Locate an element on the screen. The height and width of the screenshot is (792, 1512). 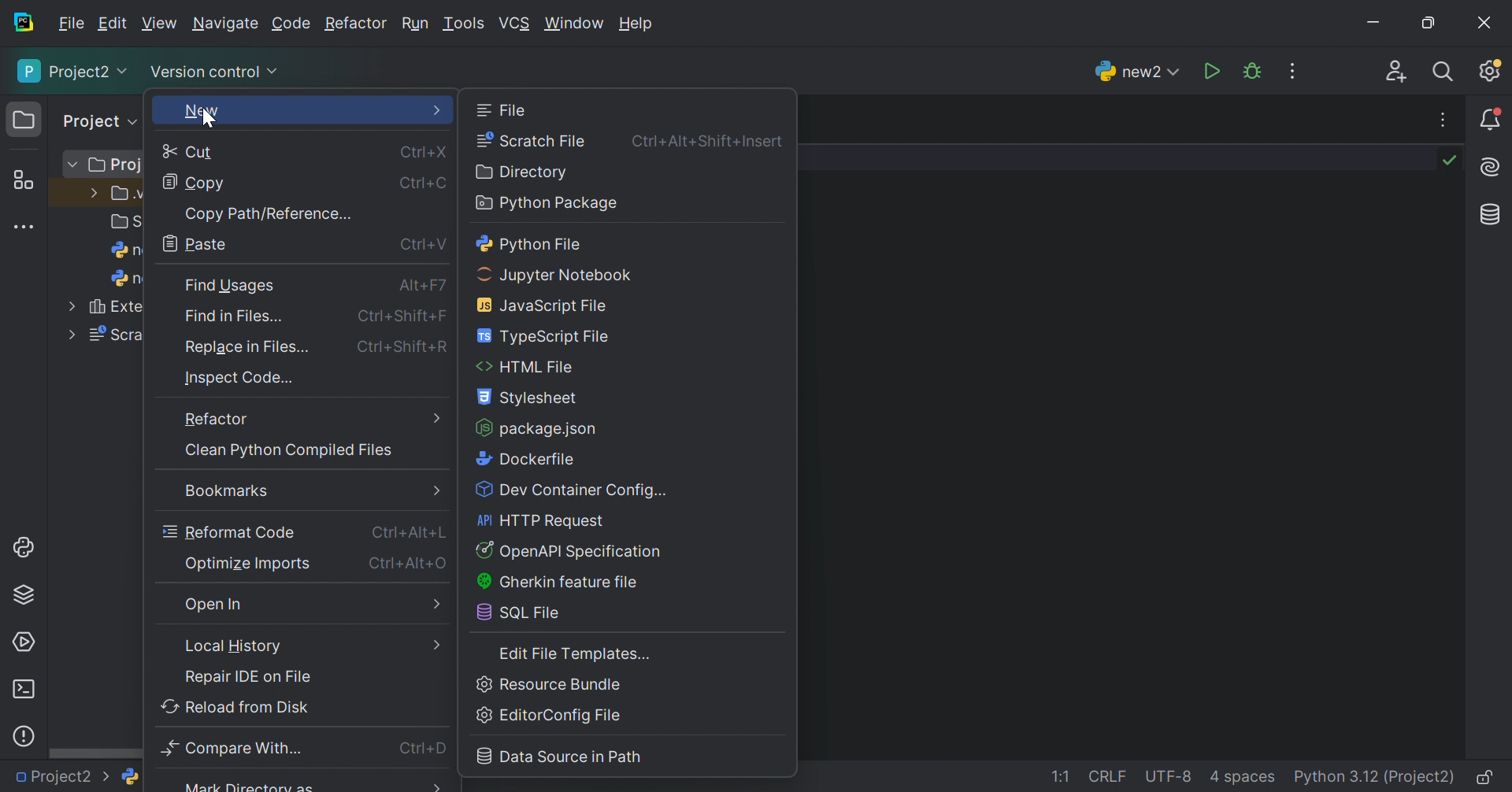
Replace in file is located at coordinates (246, 346).